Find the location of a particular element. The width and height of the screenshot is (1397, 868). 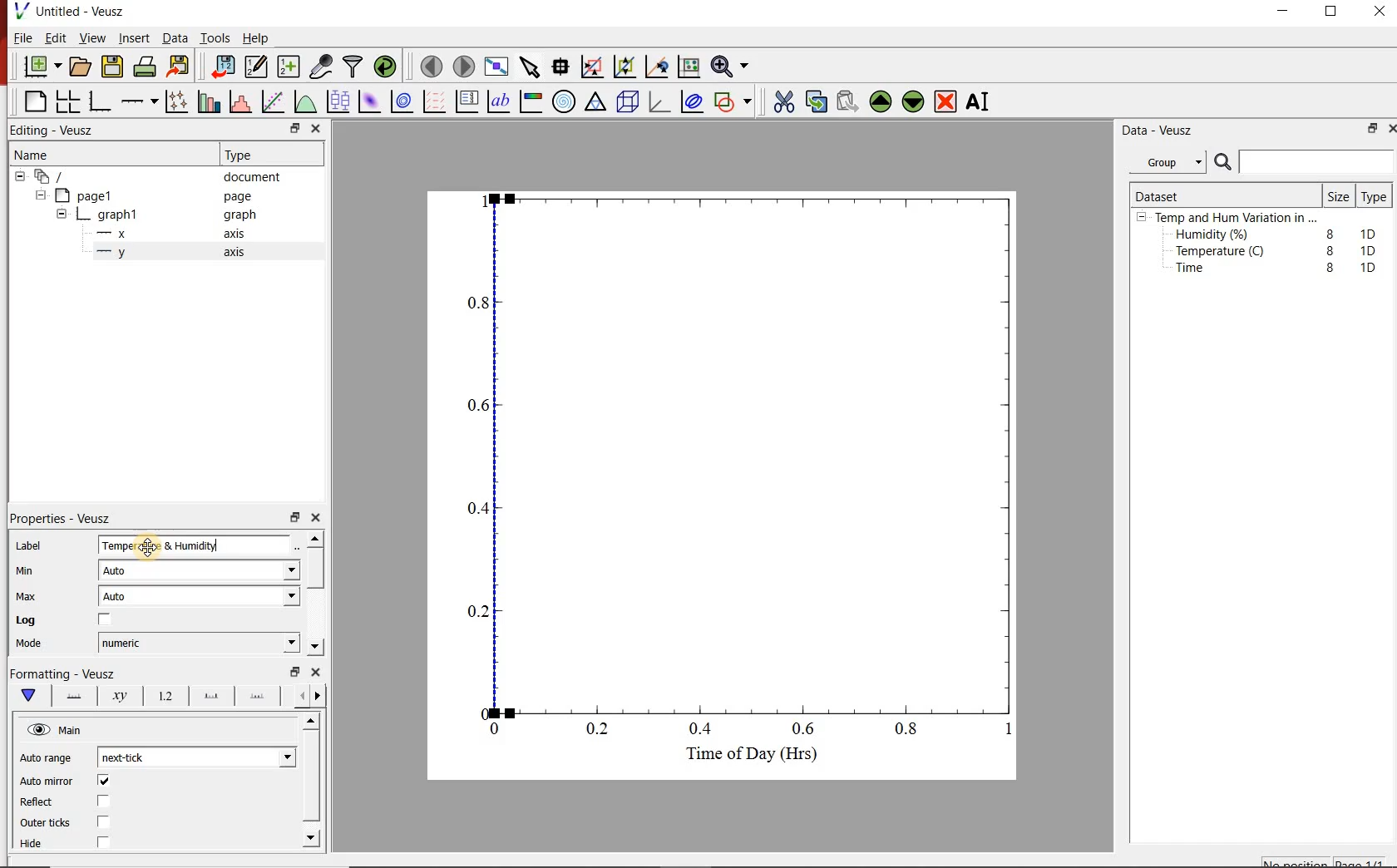

go back is located at coordinates (296, 694).